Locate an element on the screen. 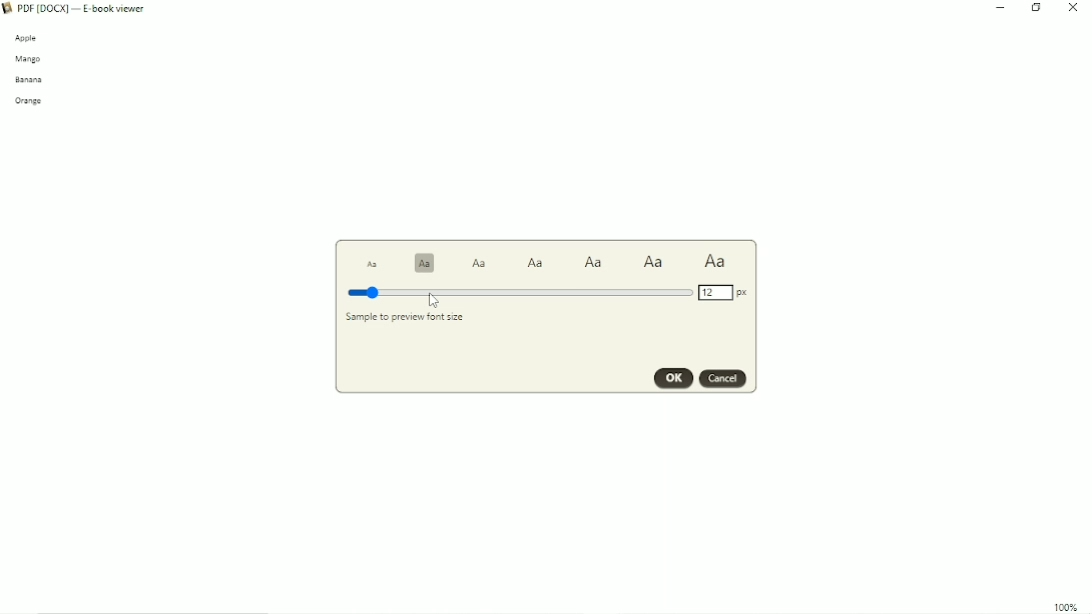 The height and width of the screenshot is (614, 1092). Text size is located at coordinates (372, 264).